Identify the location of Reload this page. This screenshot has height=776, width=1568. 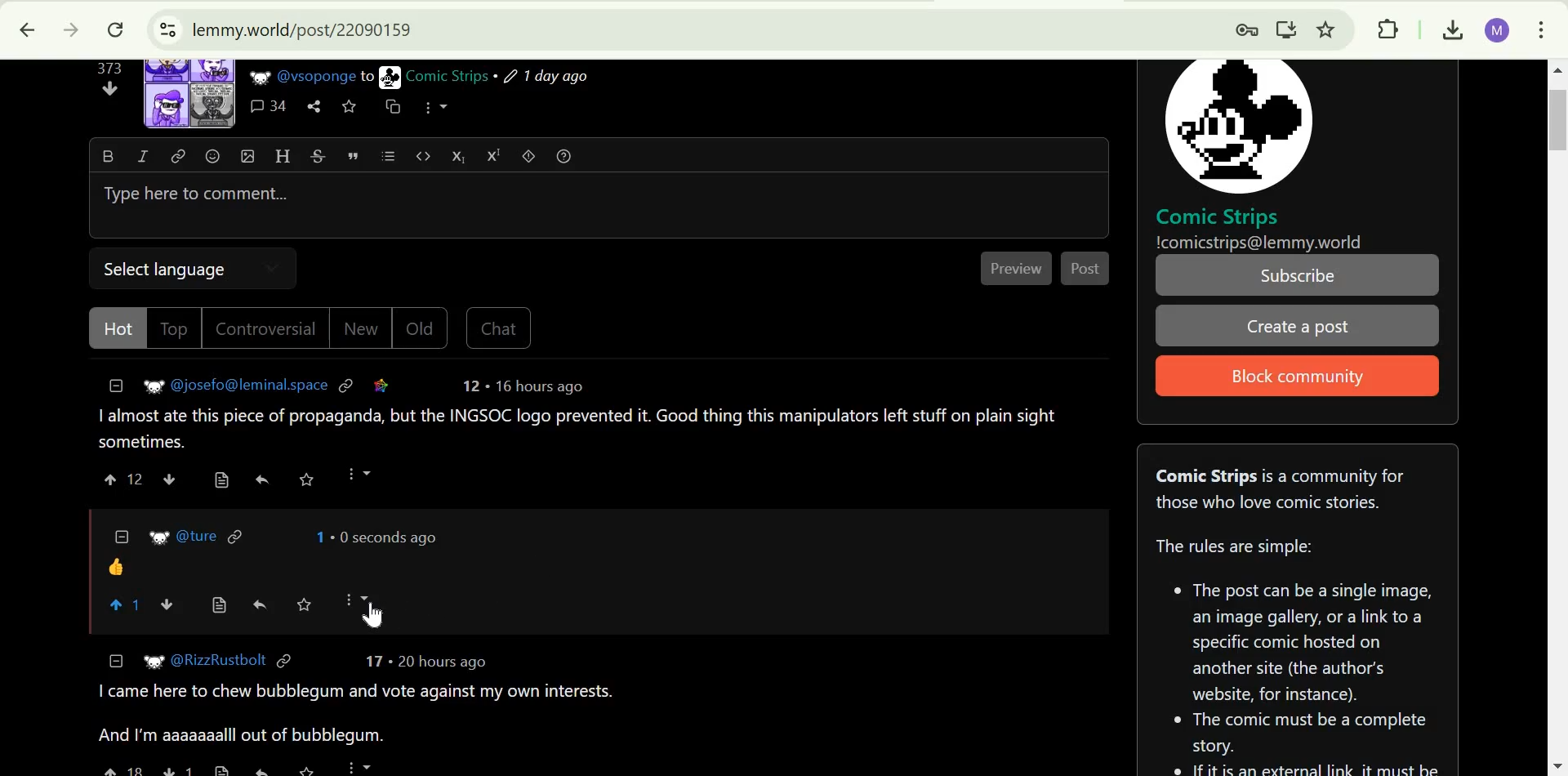
(115, 30).